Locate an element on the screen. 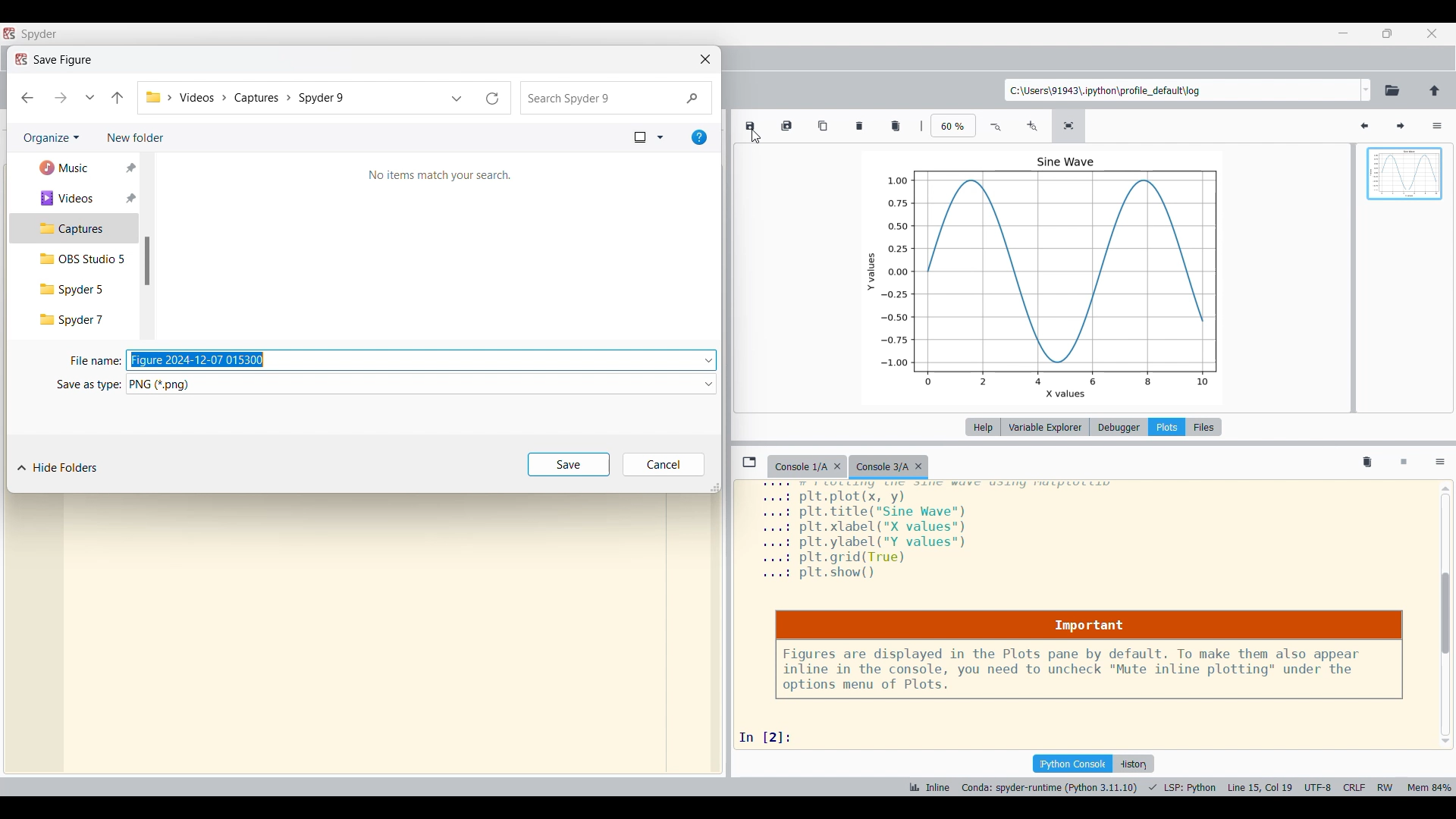 The width and height of the screenshot is (1456, 819). Browse working directory is located at coordinates (1393, 90).